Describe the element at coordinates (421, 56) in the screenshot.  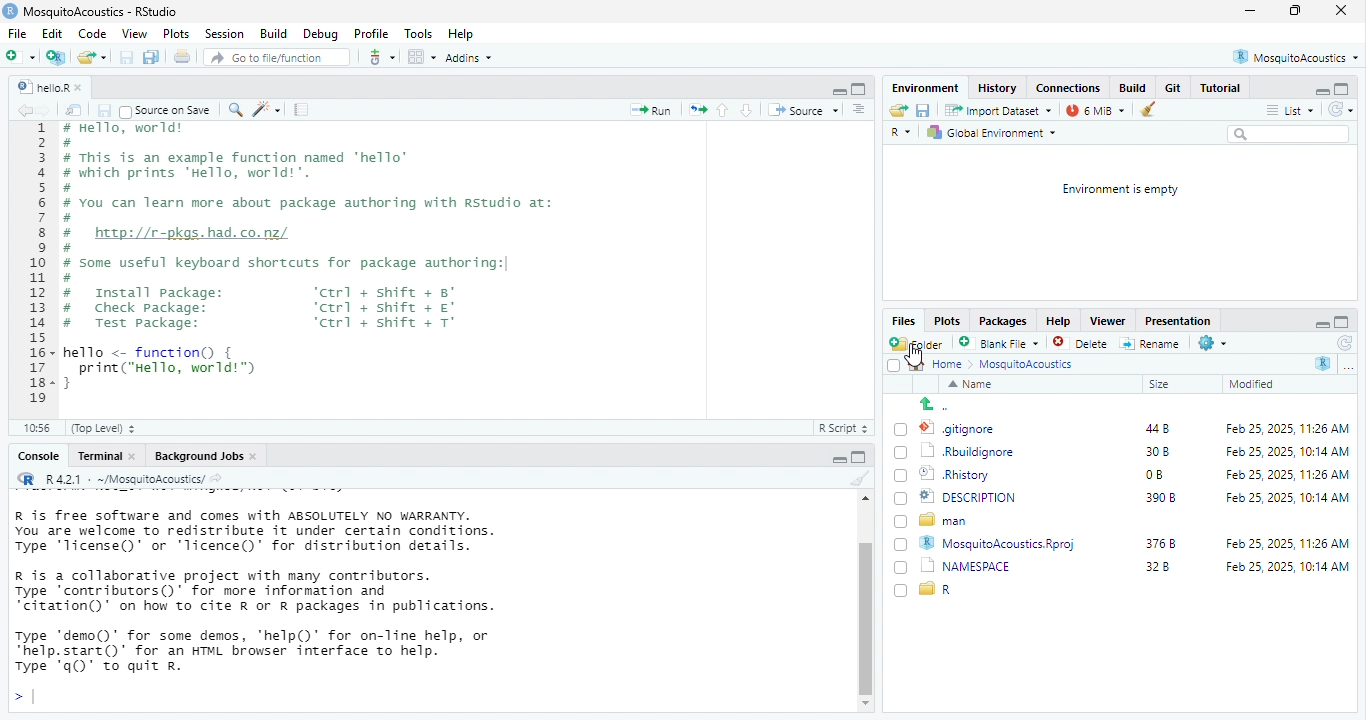
I see `option` at that location.